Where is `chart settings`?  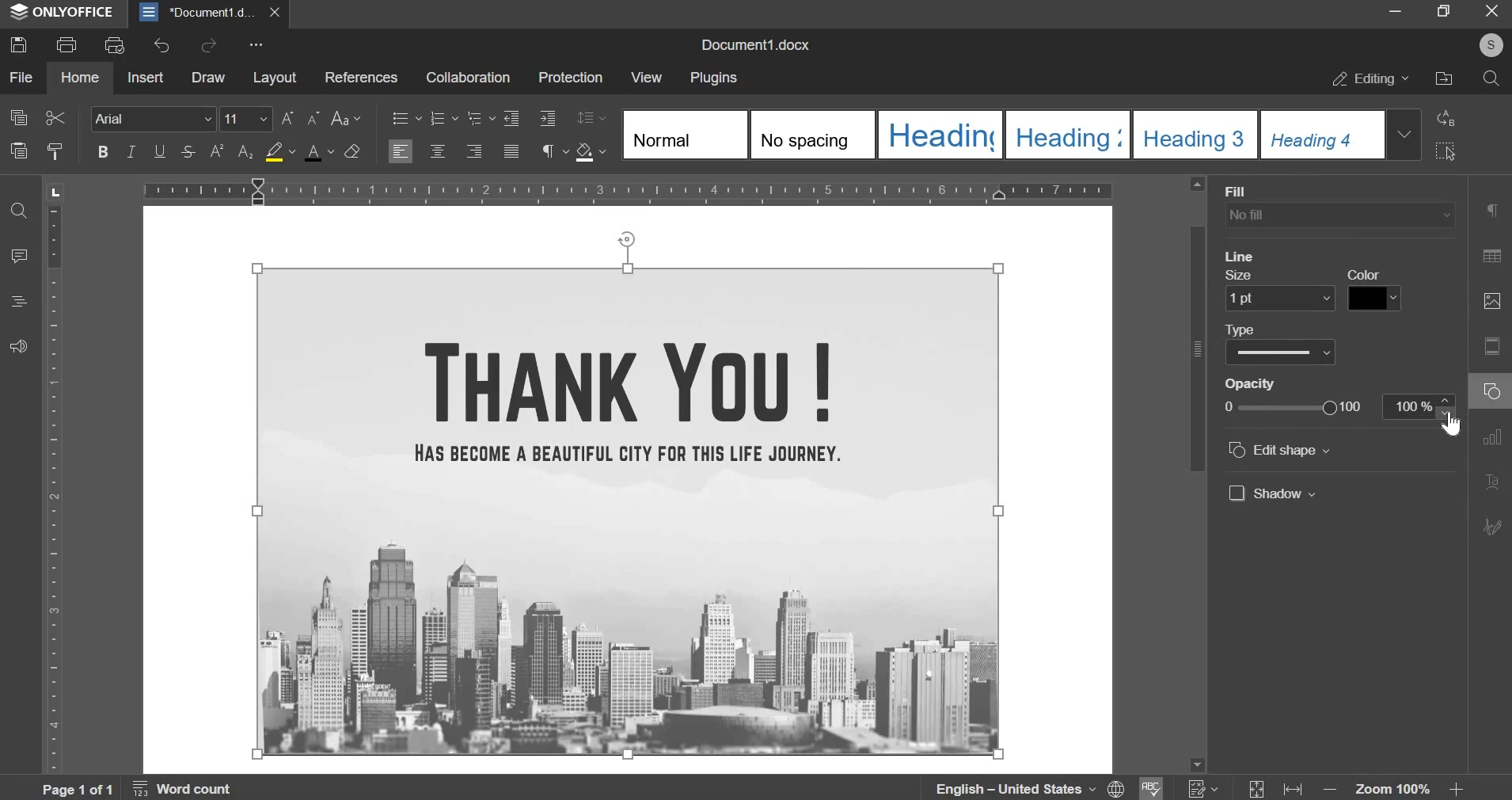
chart settings is located at coordinates (1495, 438).